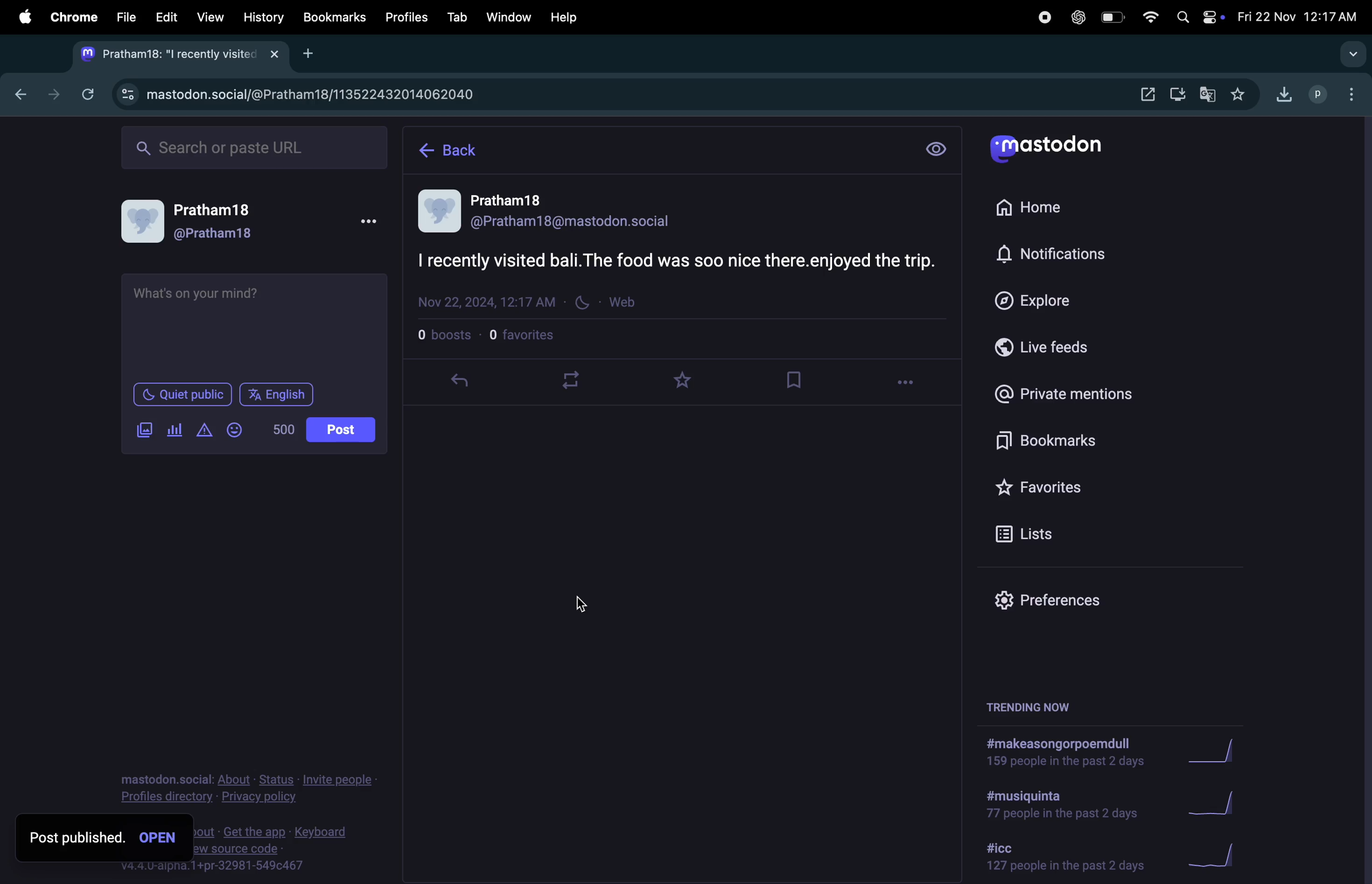 This screenshot has width=1372, height=884. Describe the element at coordinates (1037, 347) in the screenshot. I see `live feed` at that location.